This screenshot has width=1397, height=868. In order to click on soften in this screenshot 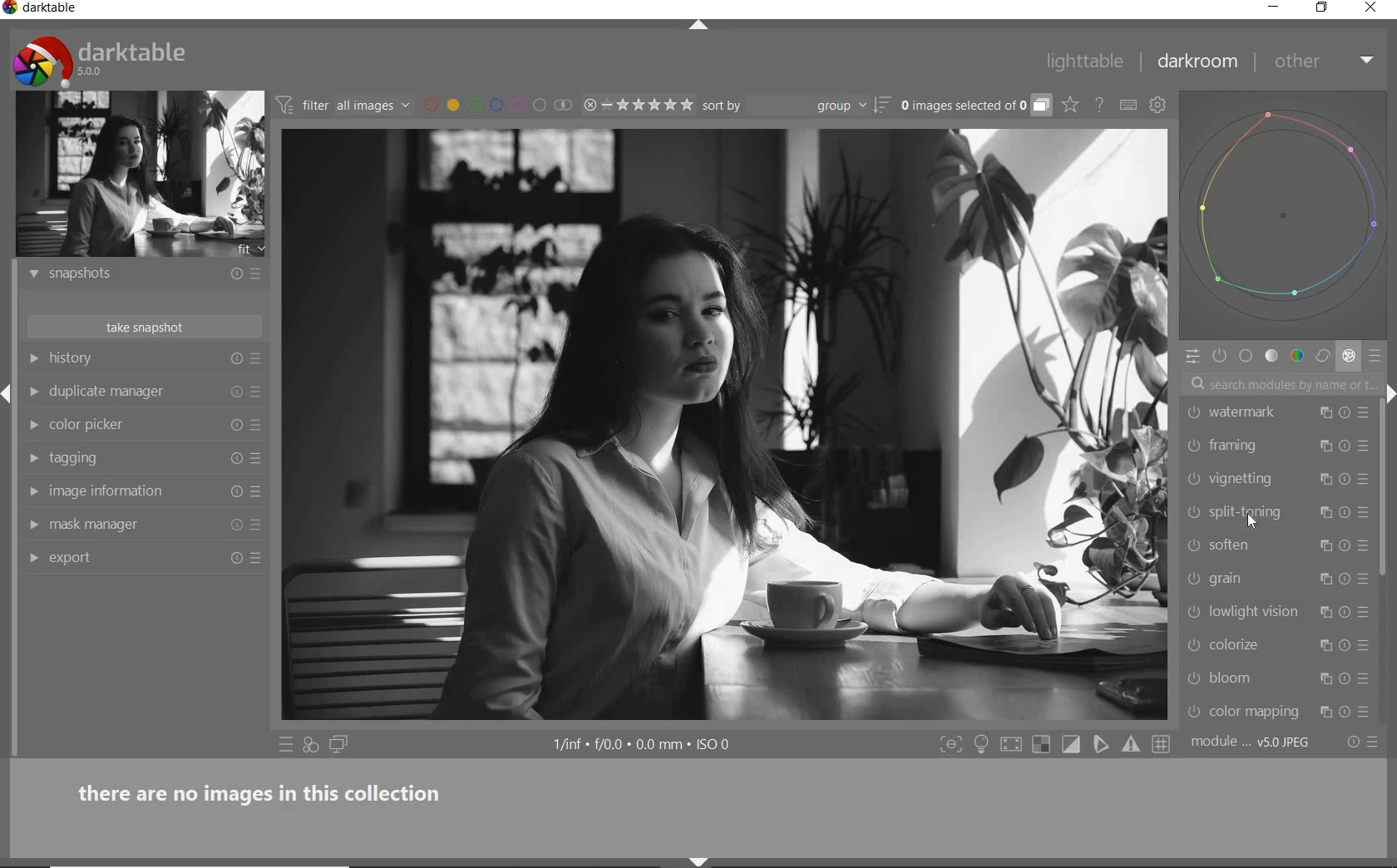, I will do `click(1258, 545)`.